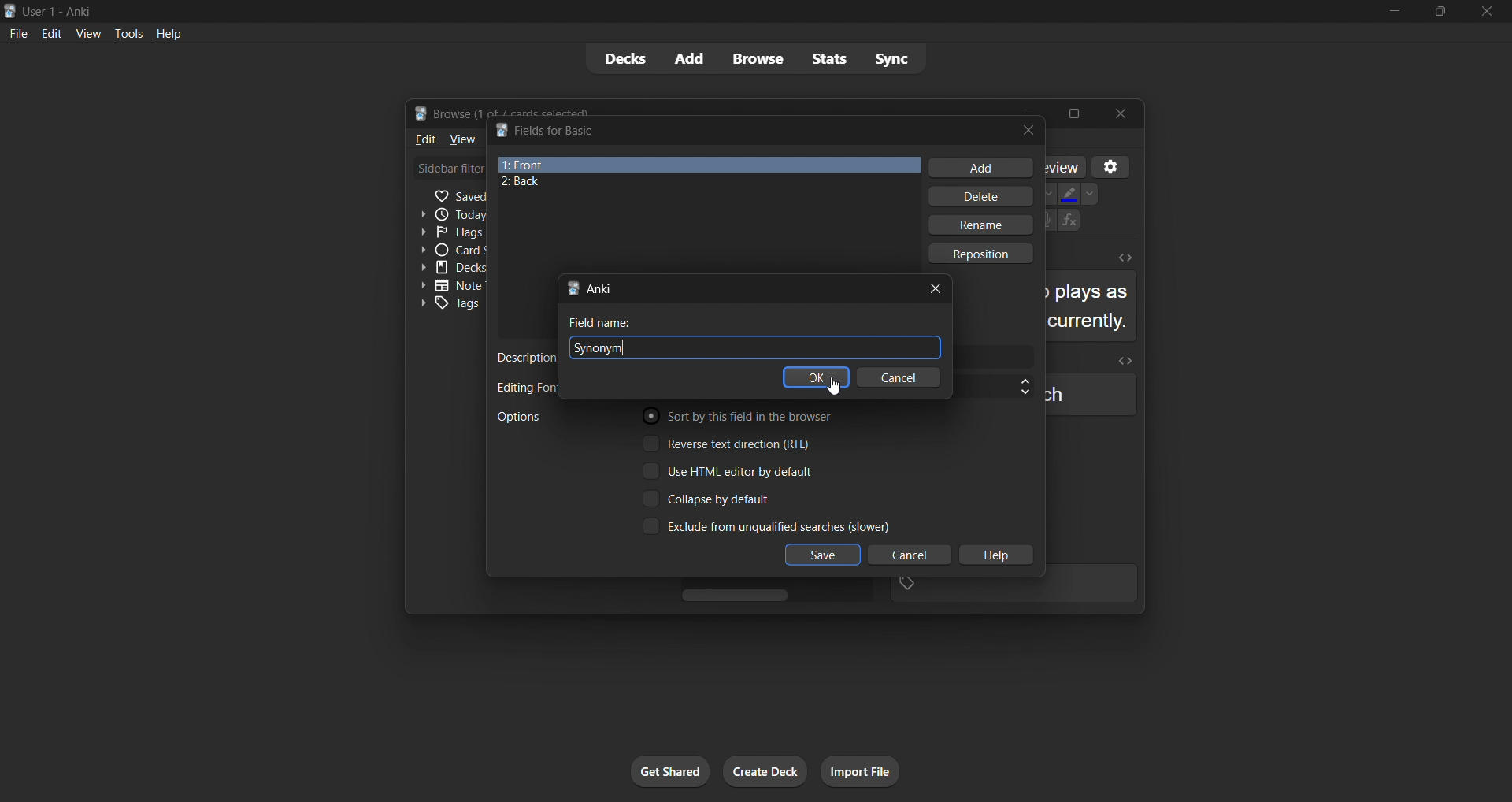 The width and height of the screenshot is (1512, 802). What do you see at coordinates (823, 555) in the screenshot?
I see `save` at bounding box center [823, 555].